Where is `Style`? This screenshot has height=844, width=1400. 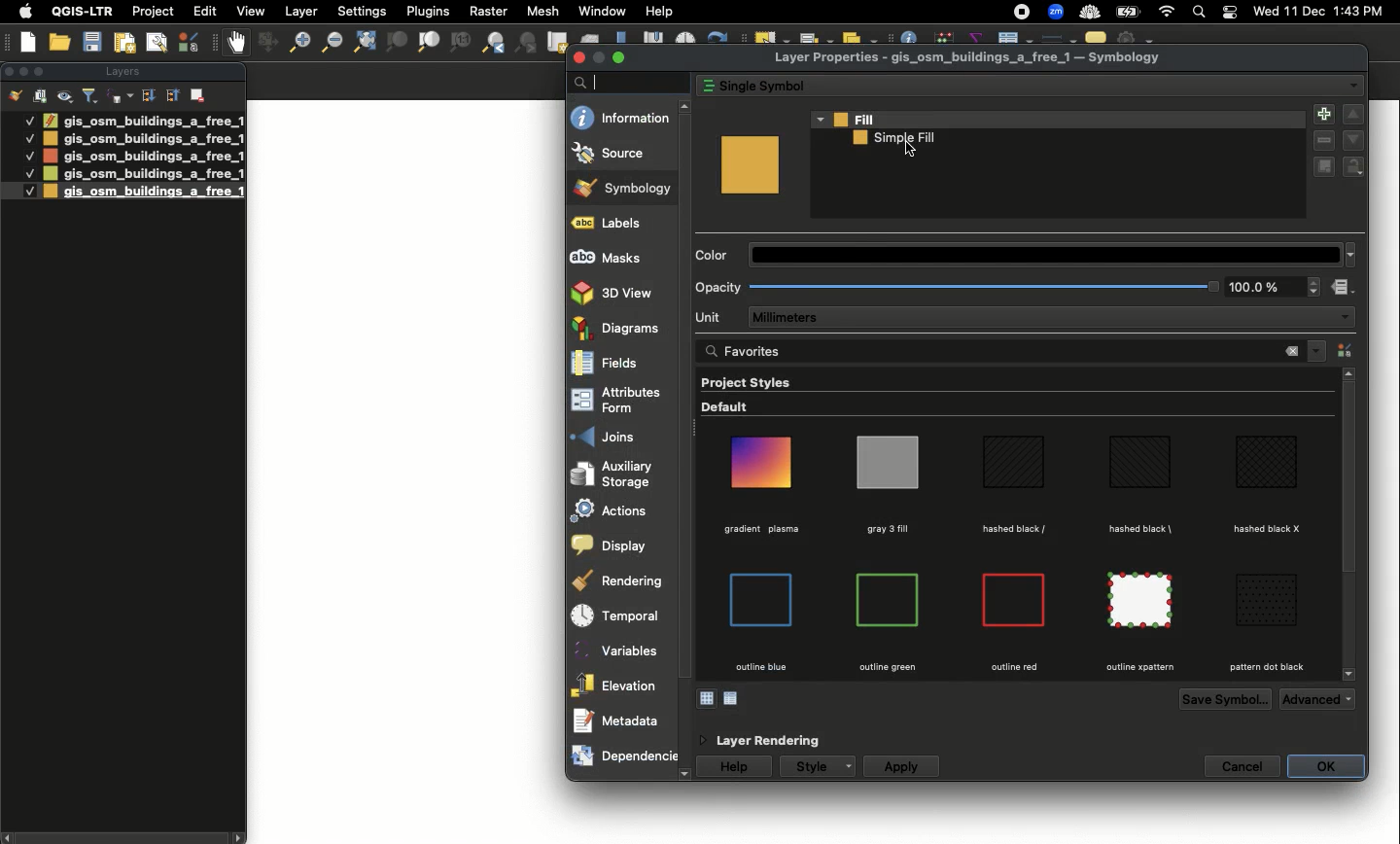 Style is located at coordinates (810, 766).